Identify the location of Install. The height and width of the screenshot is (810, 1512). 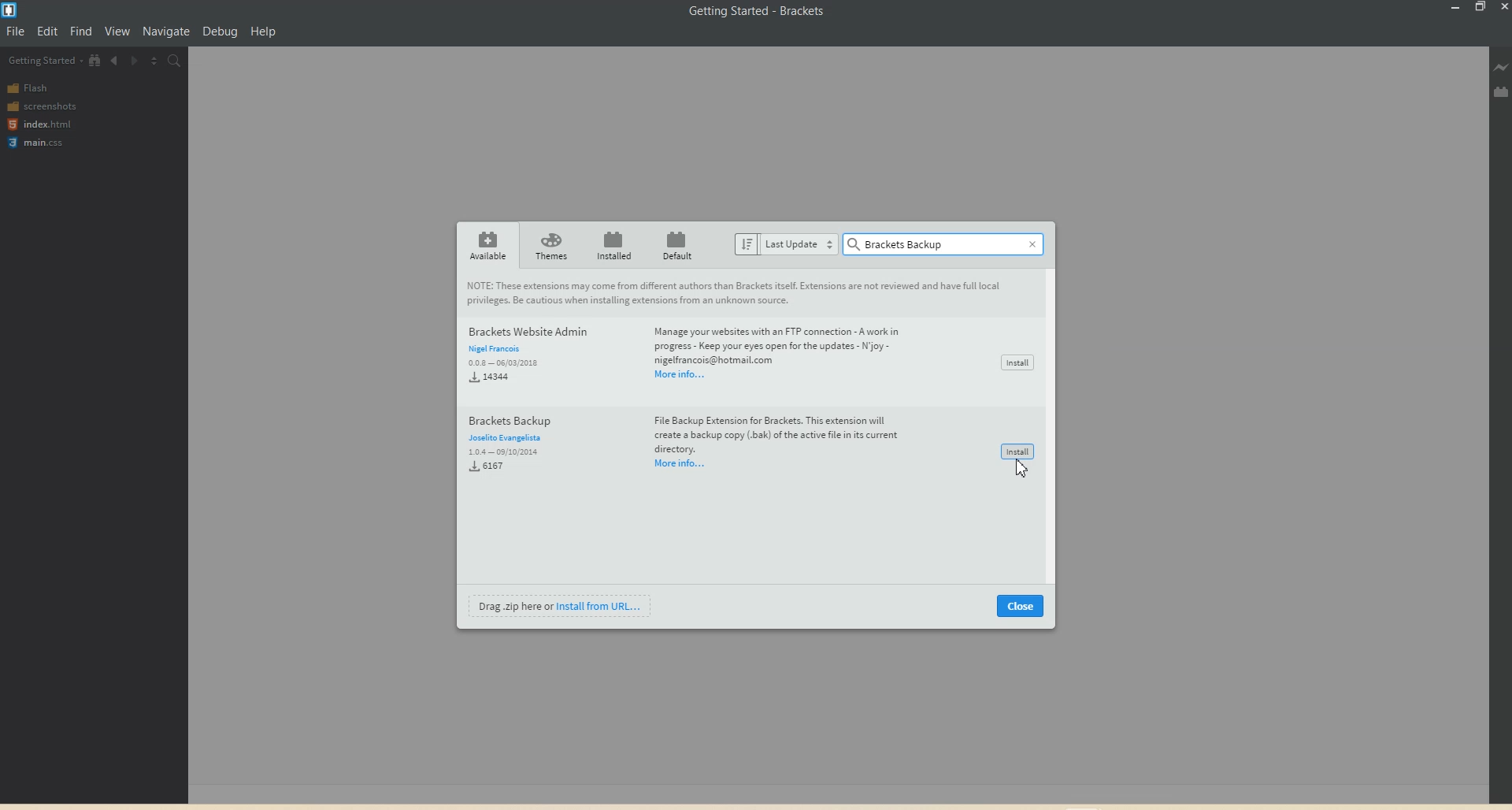
(1019, 451).